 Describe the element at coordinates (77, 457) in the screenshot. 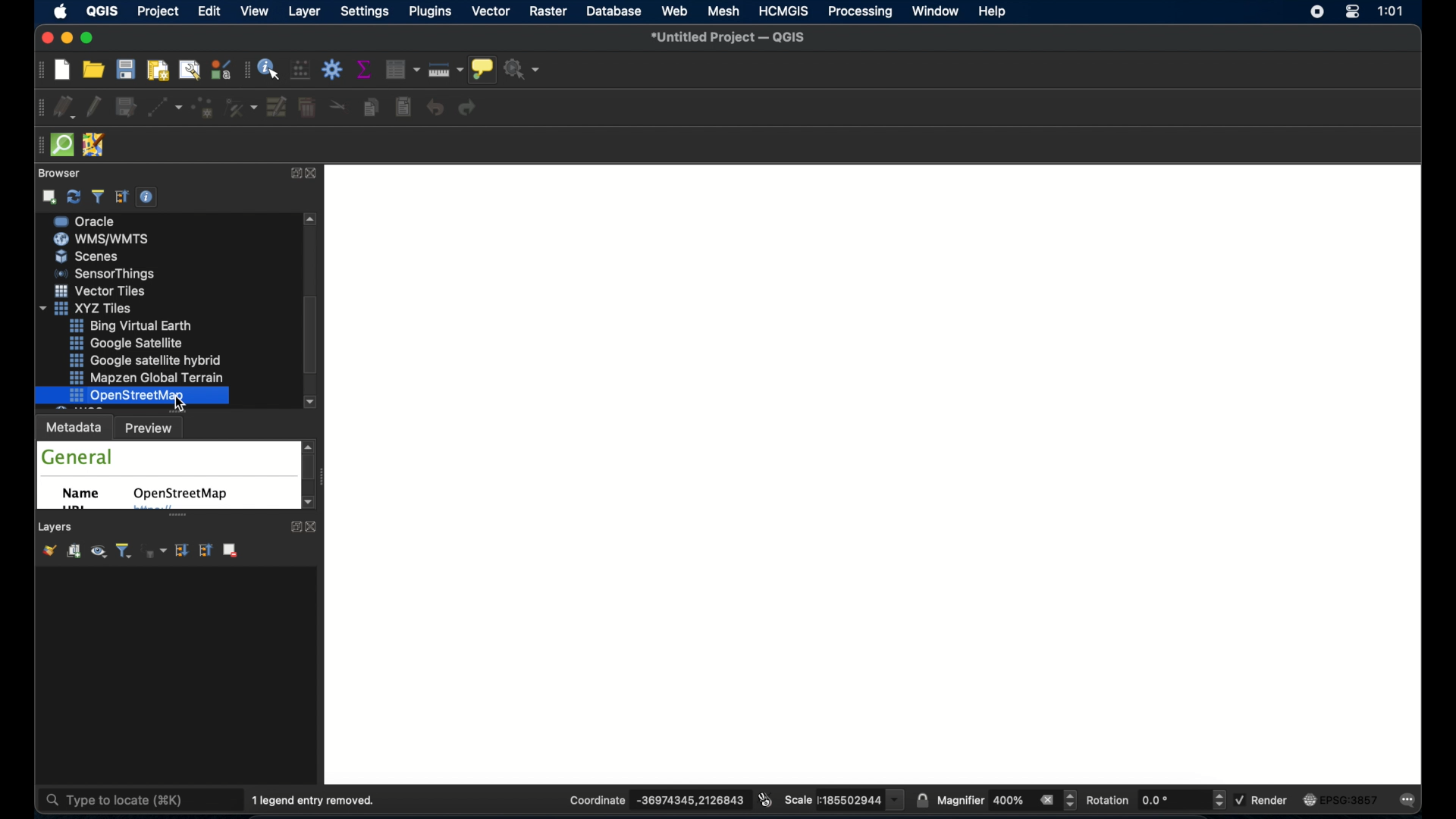

I see `general` at that location.